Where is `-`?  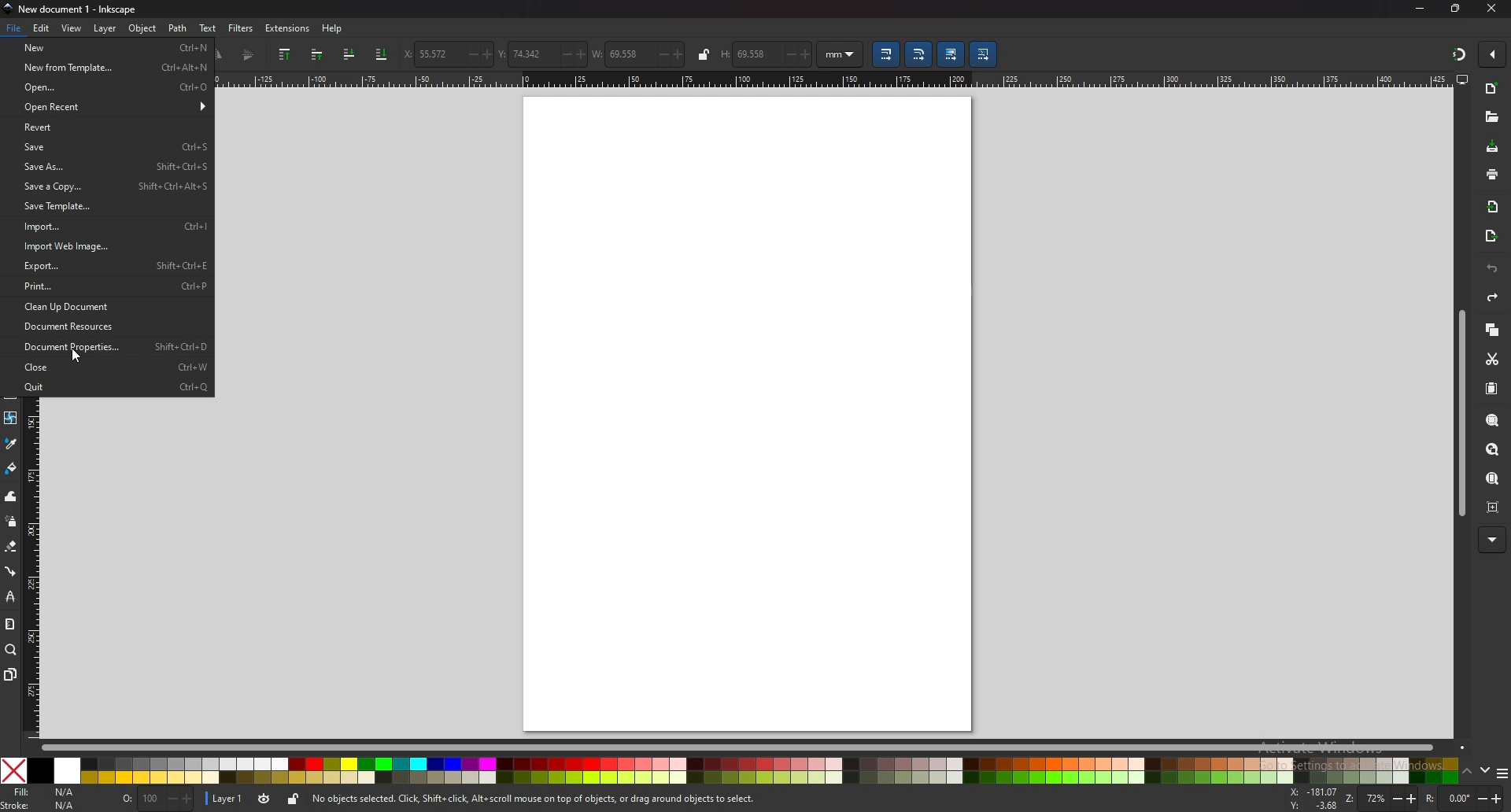 - is located at coordinates (789, 55).